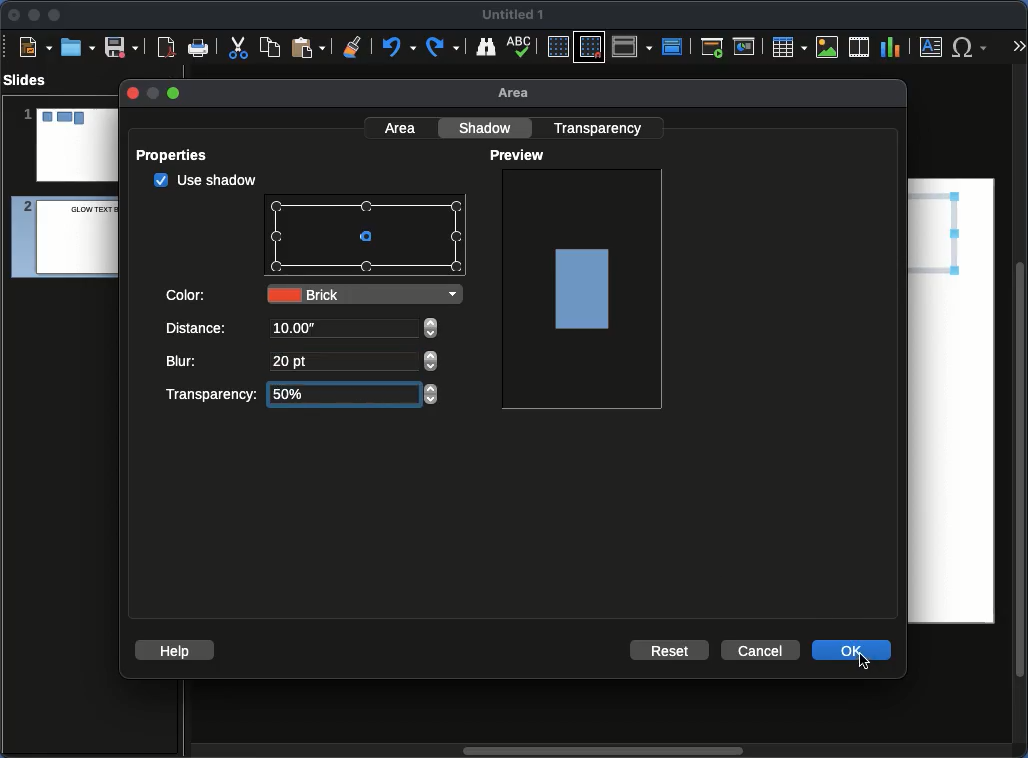 The height and width of the screenshot is (758, 1028). I want to click on Master slide, so click(675, 46).